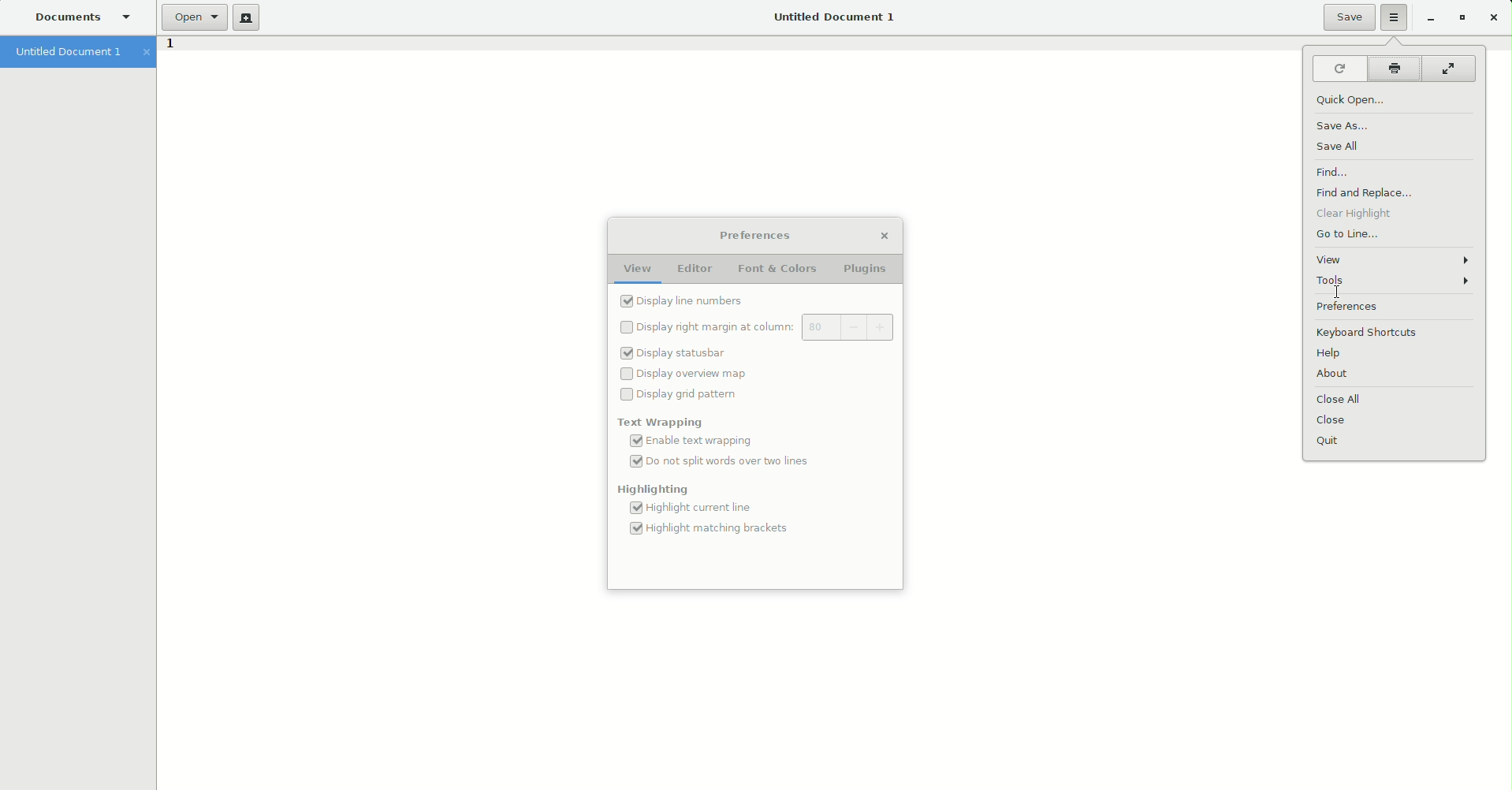  Describe the element at coordinates (726, 465) in the screenshot. I see `Do no split words over two lines` at that location.